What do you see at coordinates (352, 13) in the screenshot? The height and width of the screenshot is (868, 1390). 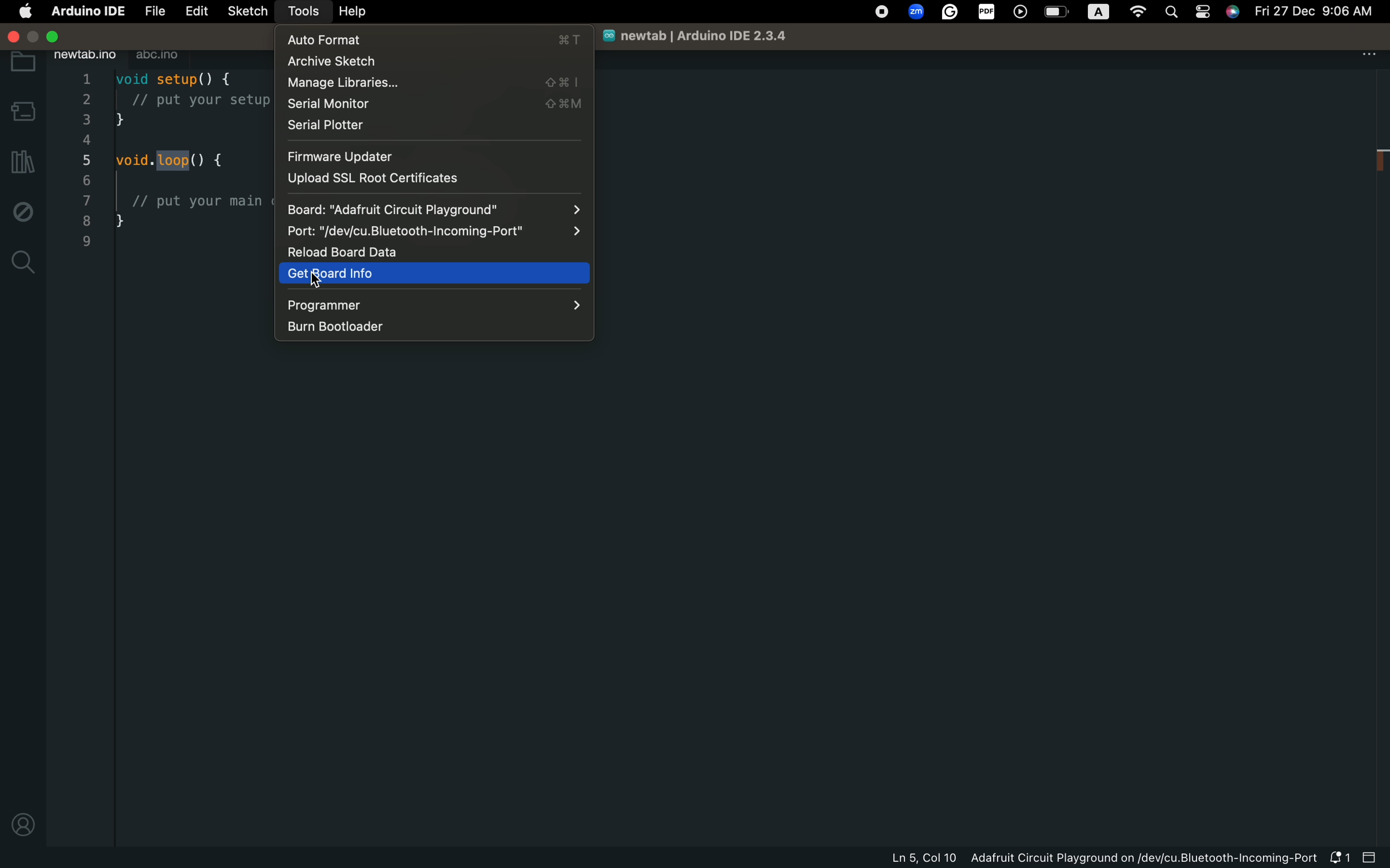 I see `help` at bounding box center [352, 13].